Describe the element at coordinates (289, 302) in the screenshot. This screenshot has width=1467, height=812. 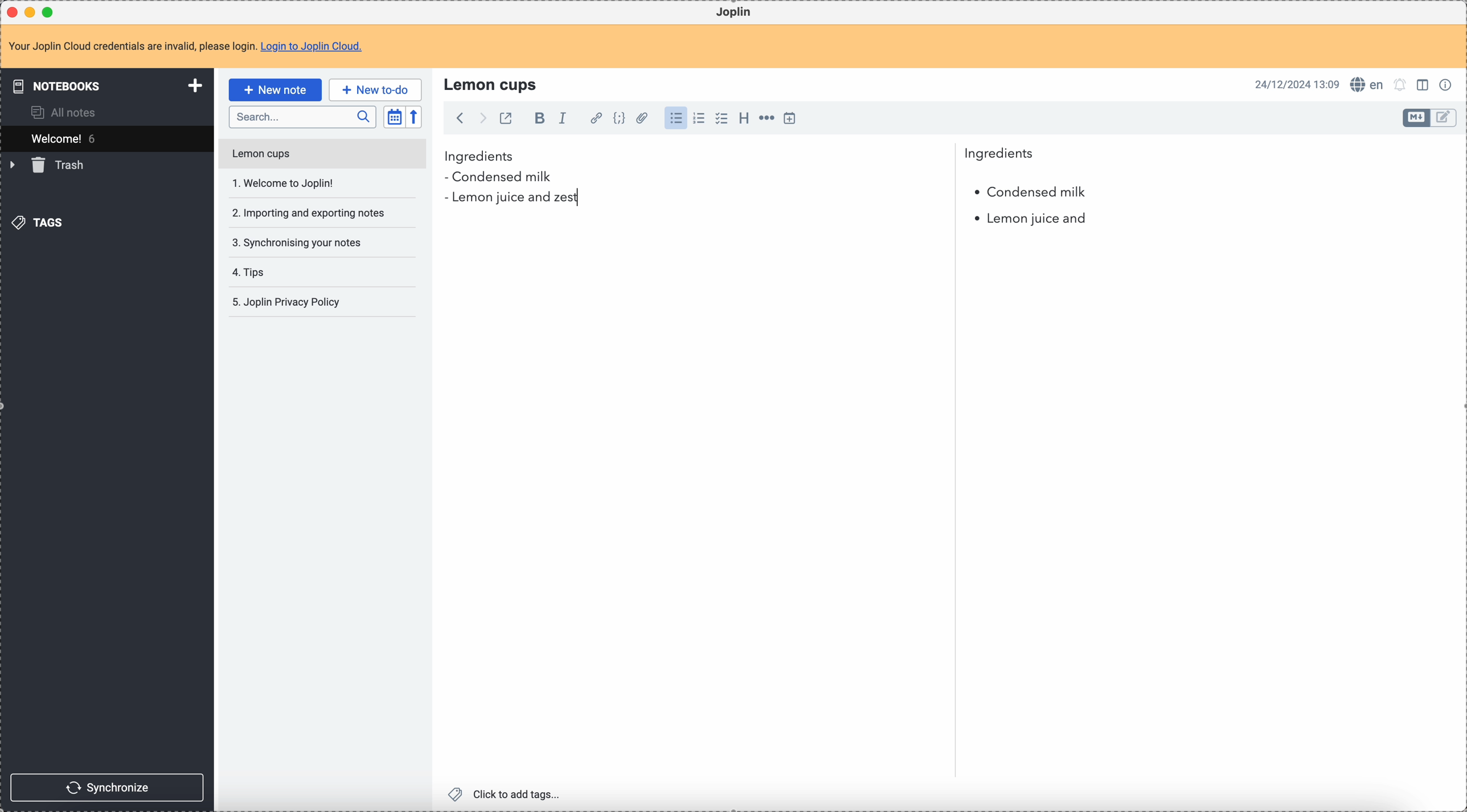
I see `Joplin privacy policy note` at that location.